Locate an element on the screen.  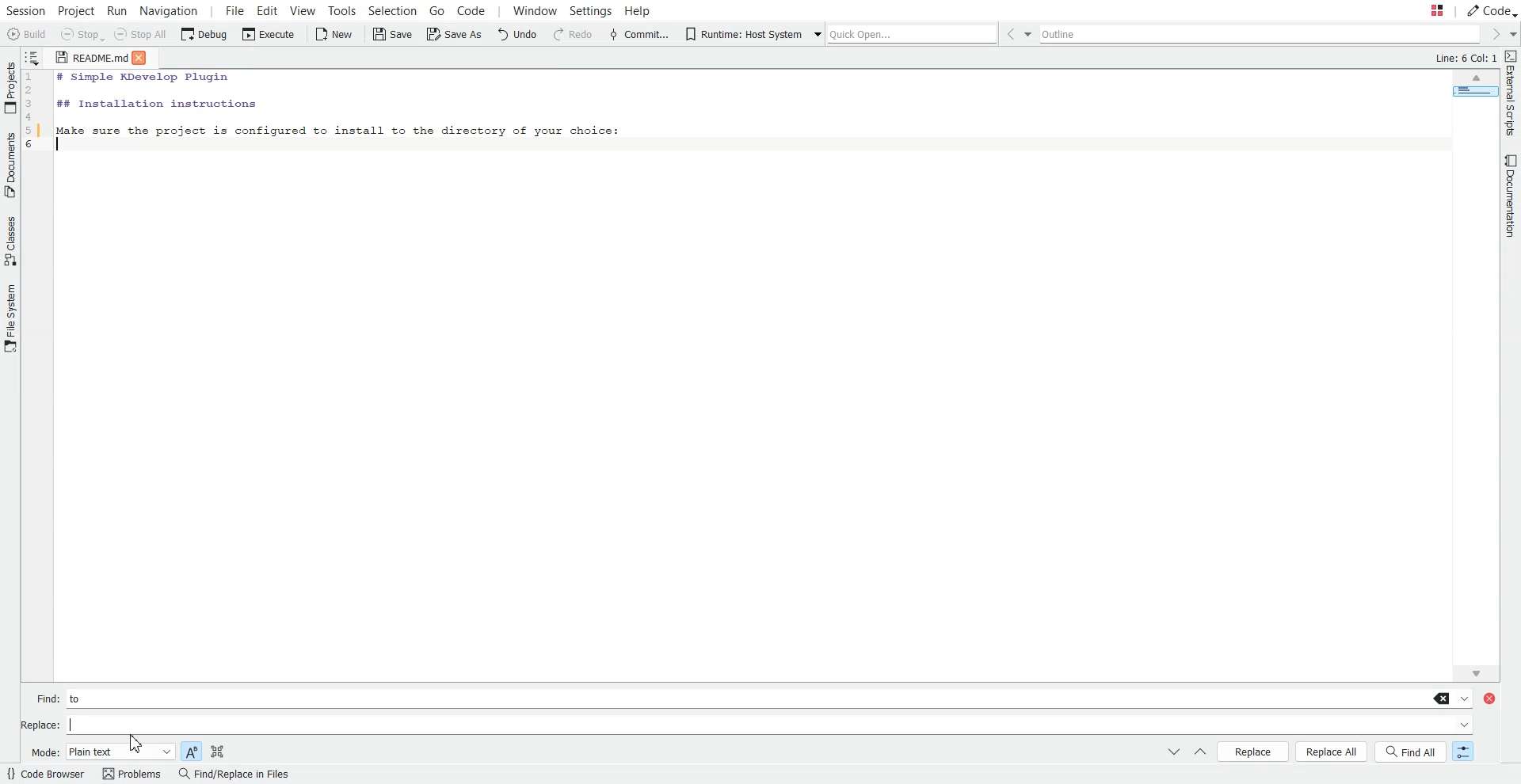
New is located at coordinates (335, 34).